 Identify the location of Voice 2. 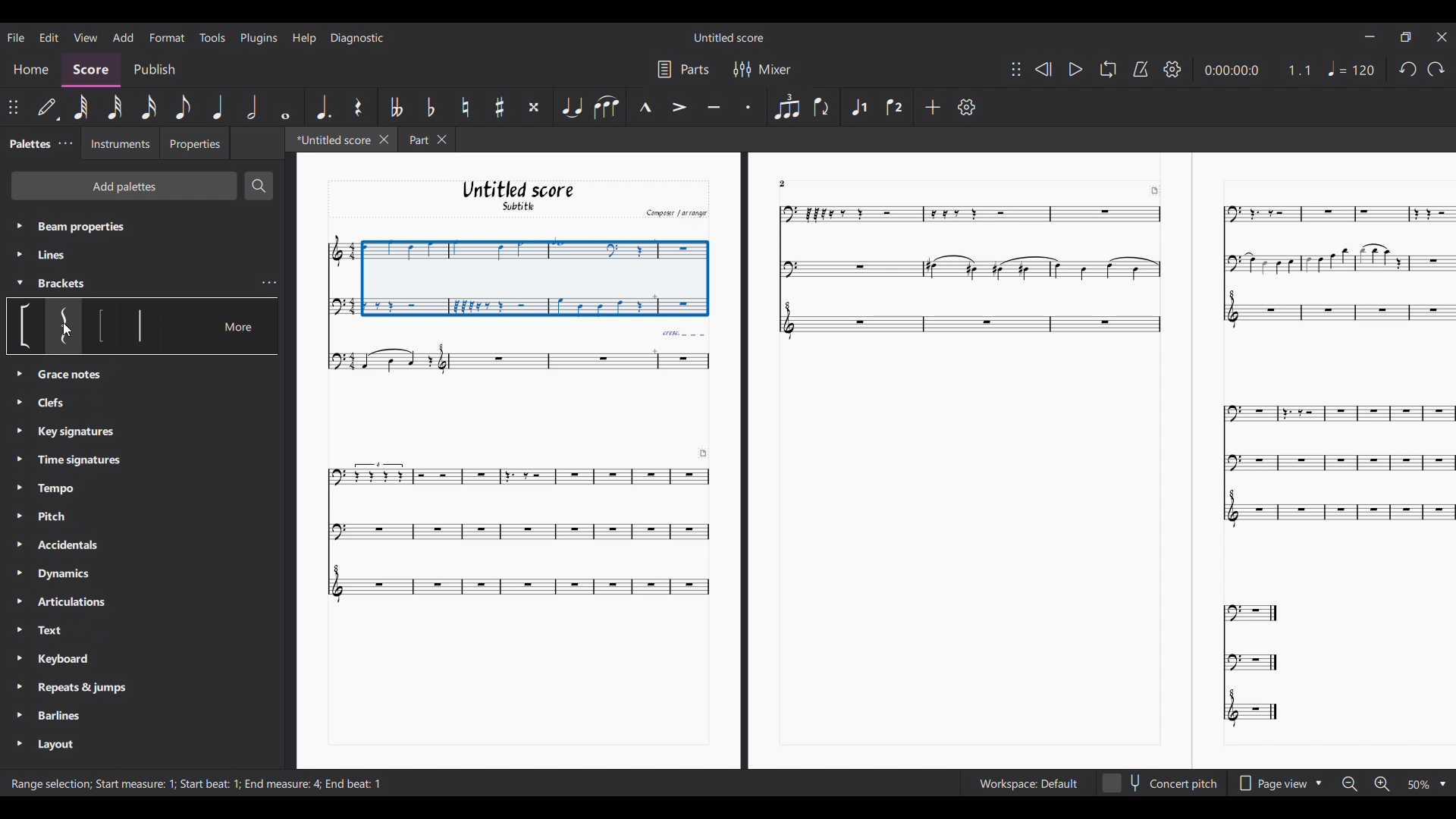
(893, 107).